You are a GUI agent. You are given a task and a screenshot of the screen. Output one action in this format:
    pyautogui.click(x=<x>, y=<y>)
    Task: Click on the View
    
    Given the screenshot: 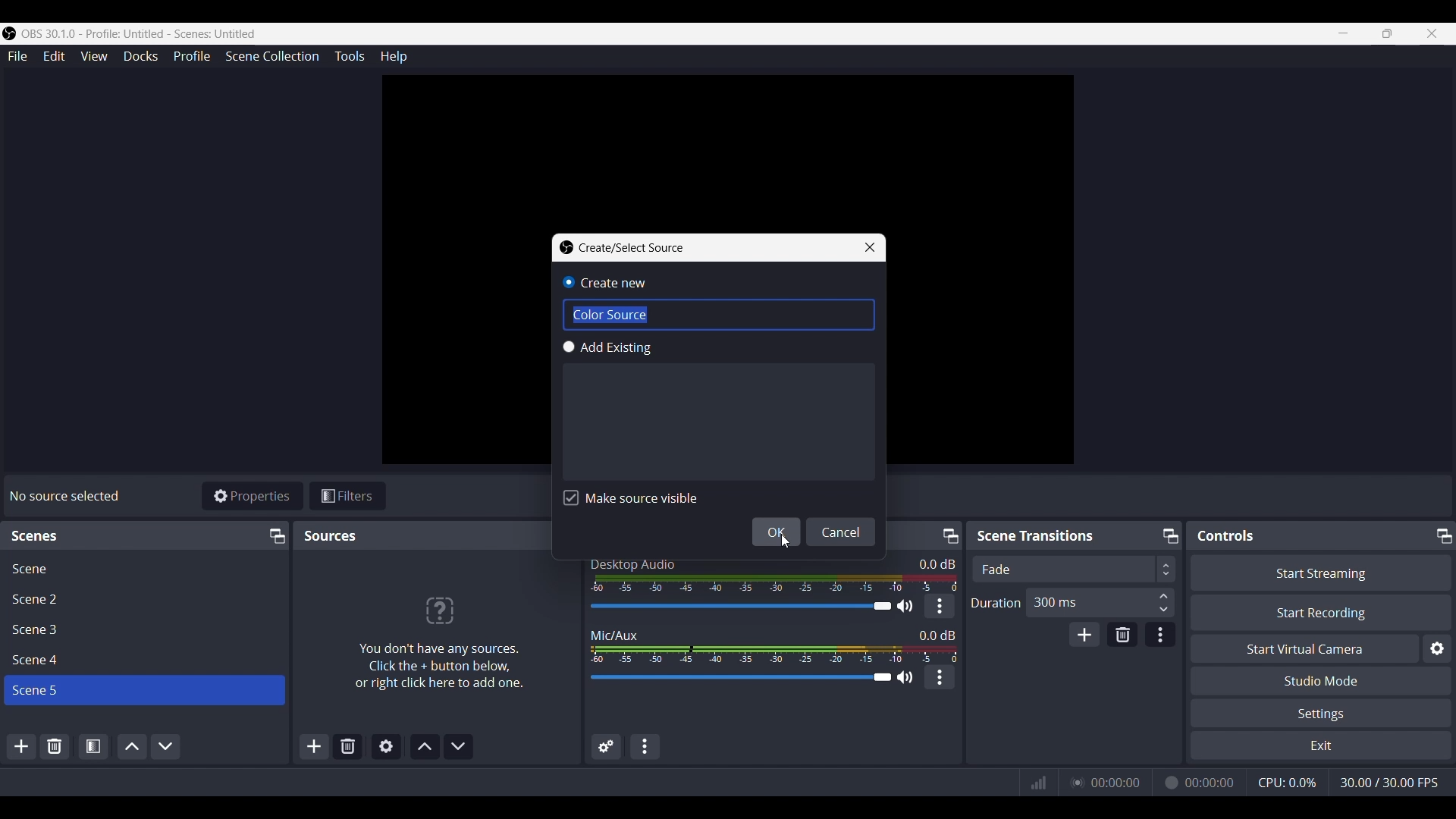 What is the action you would take?
    pyautogui.click(x=93, y=56)
    